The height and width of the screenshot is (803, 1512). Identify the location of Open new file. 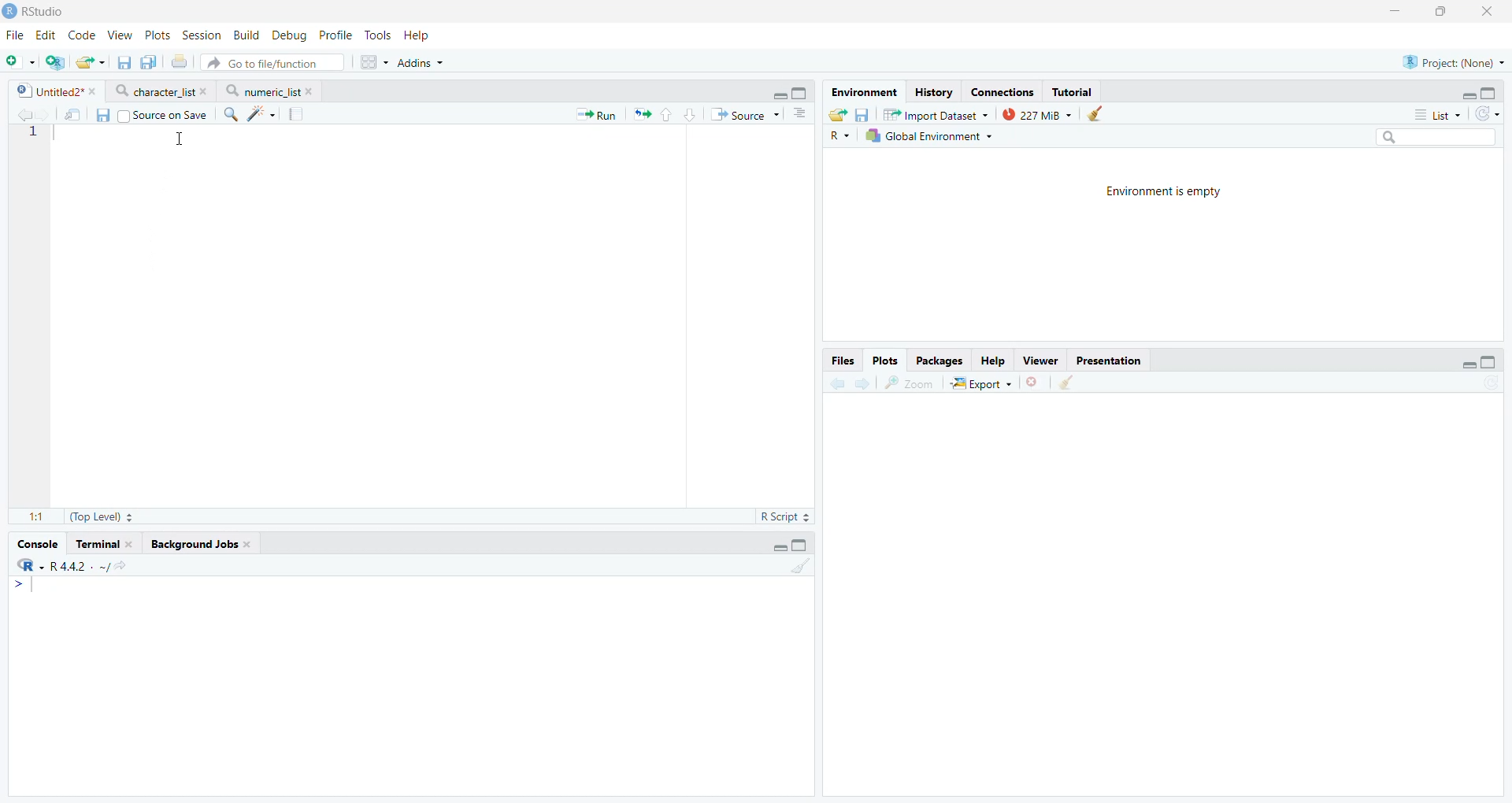
(18, 62).